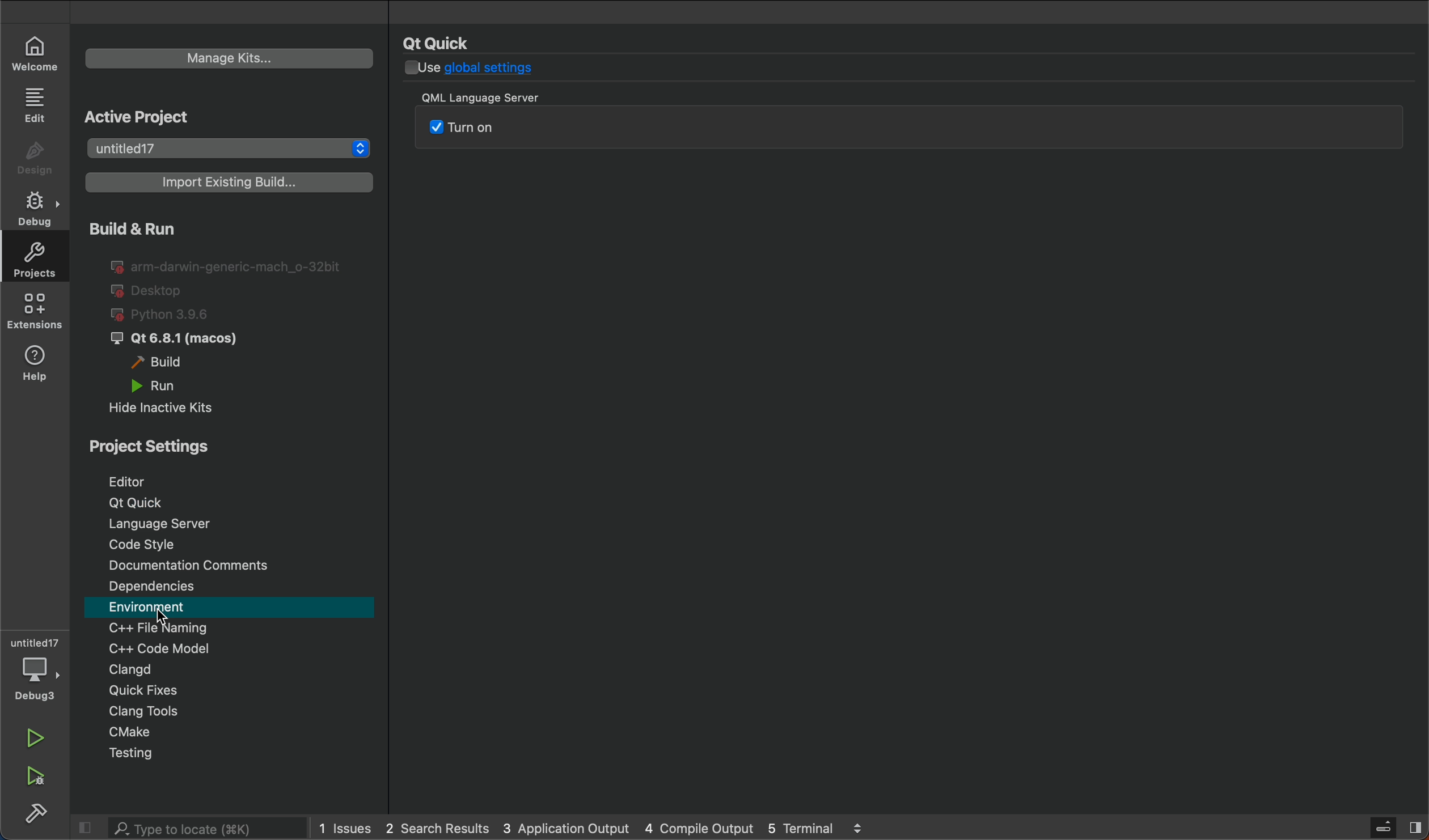  What do you see at coordinates (565, 828) in the screenshot?
I see `3 application output` at bounding box center [565, 828].